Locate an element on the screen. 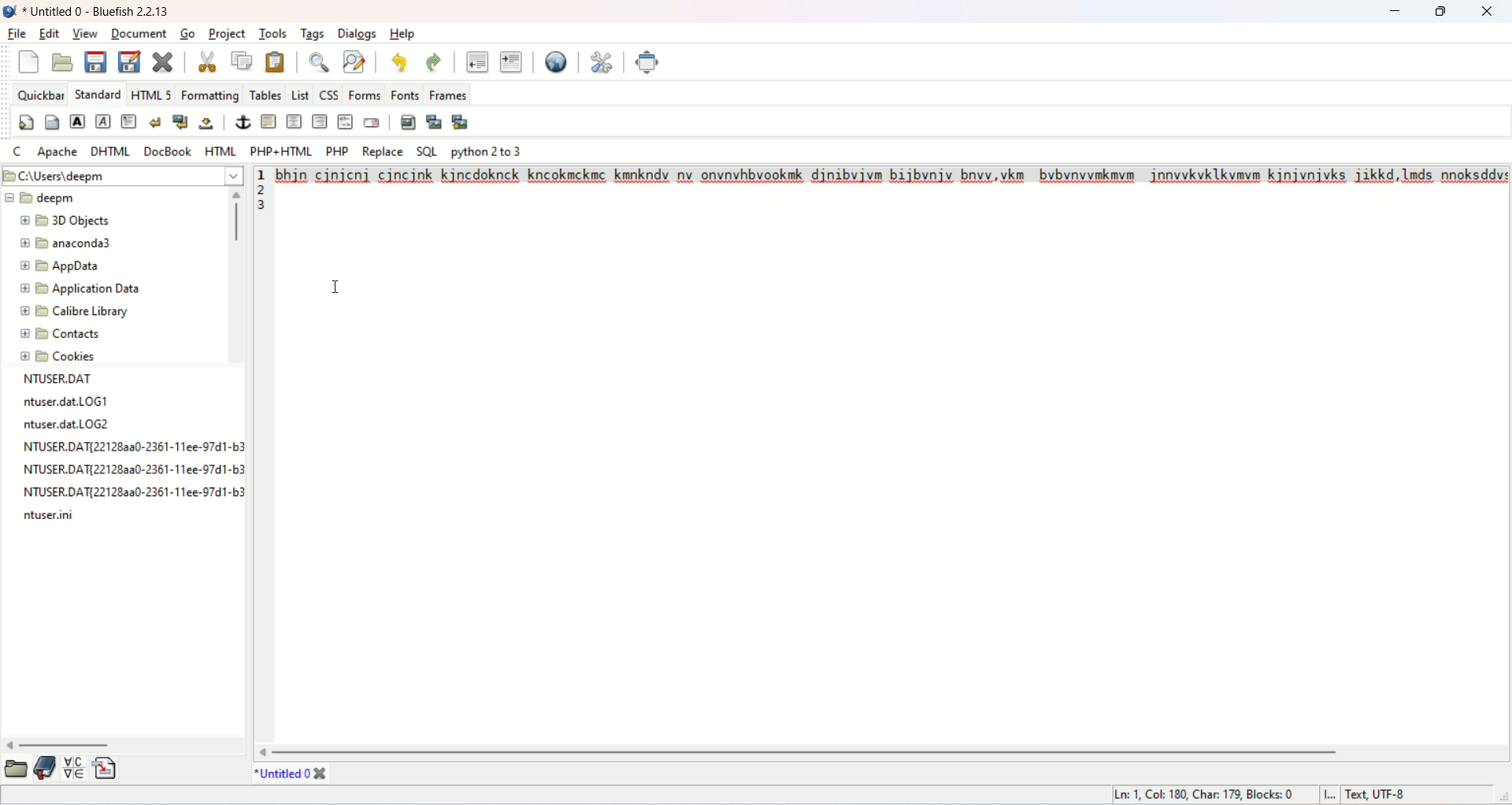 The image size is (1512, 805). indent is located at coordinates (511, 61).